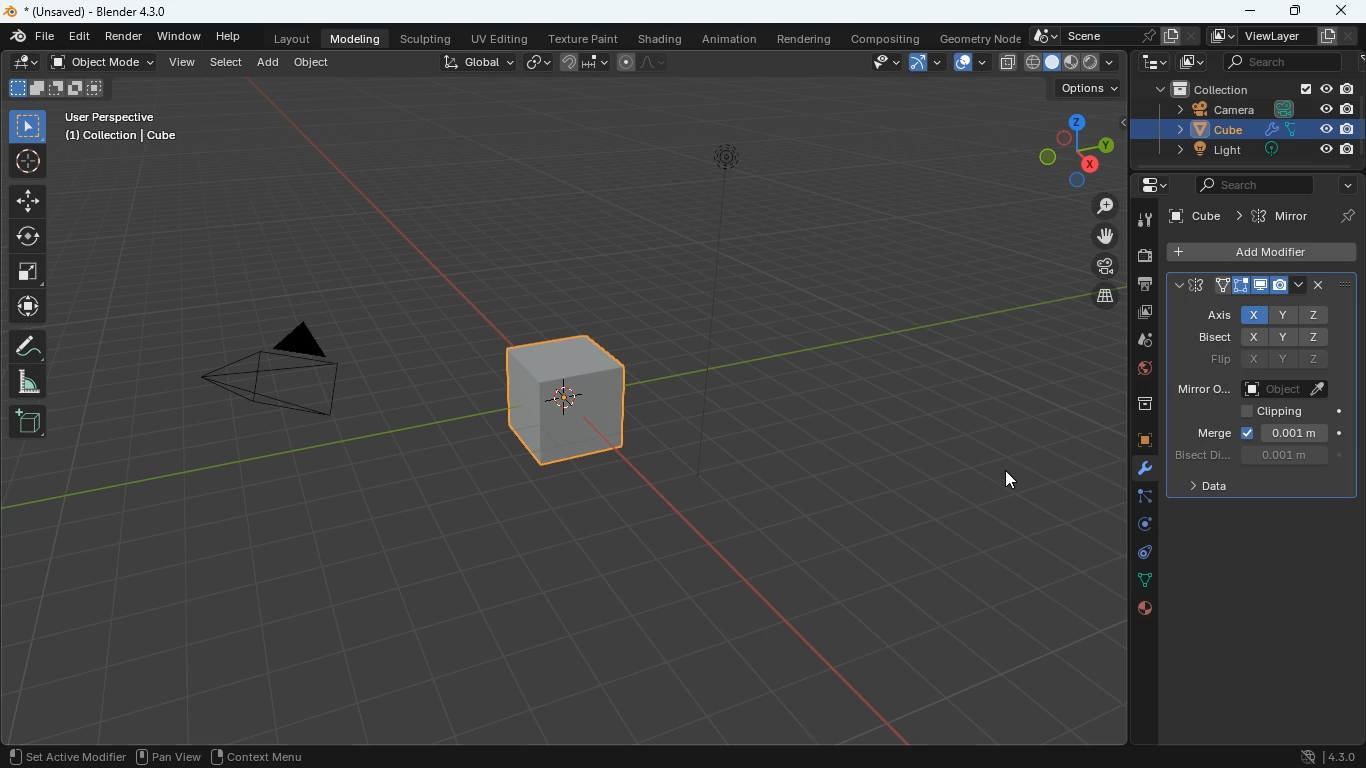 Image resolution: width=1366 pixels, height=768 pixels. I want to click on image type, so click(1073, 63).